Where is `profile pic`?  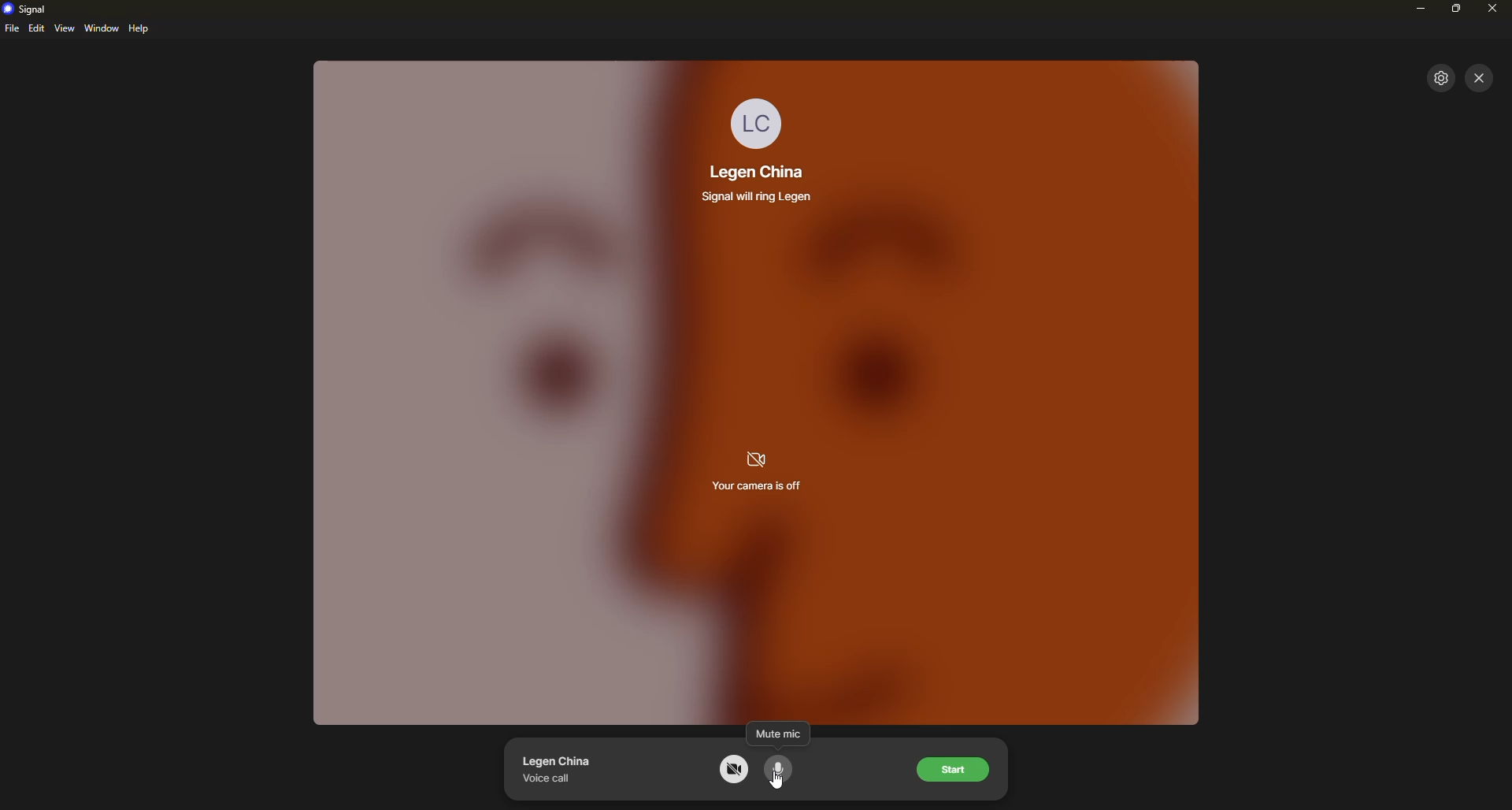 profile pic is located at coordinates (758, 121).